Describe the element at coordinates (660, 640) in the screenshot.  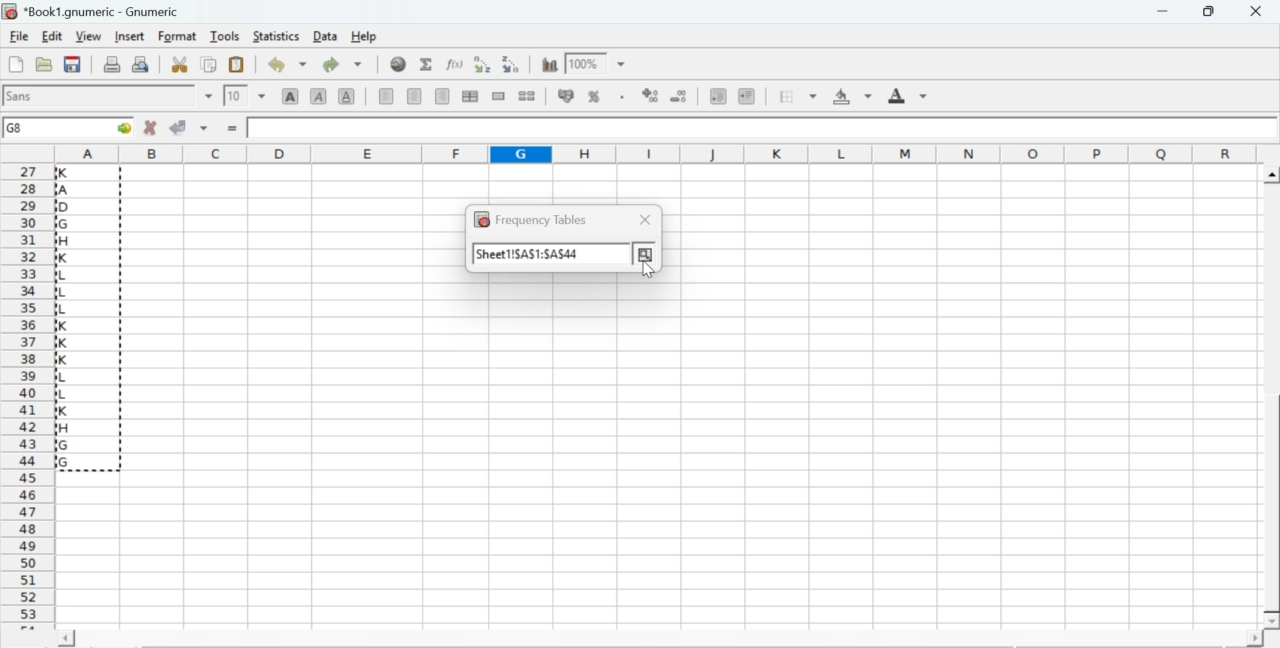
I see `scroll bar` at that location.